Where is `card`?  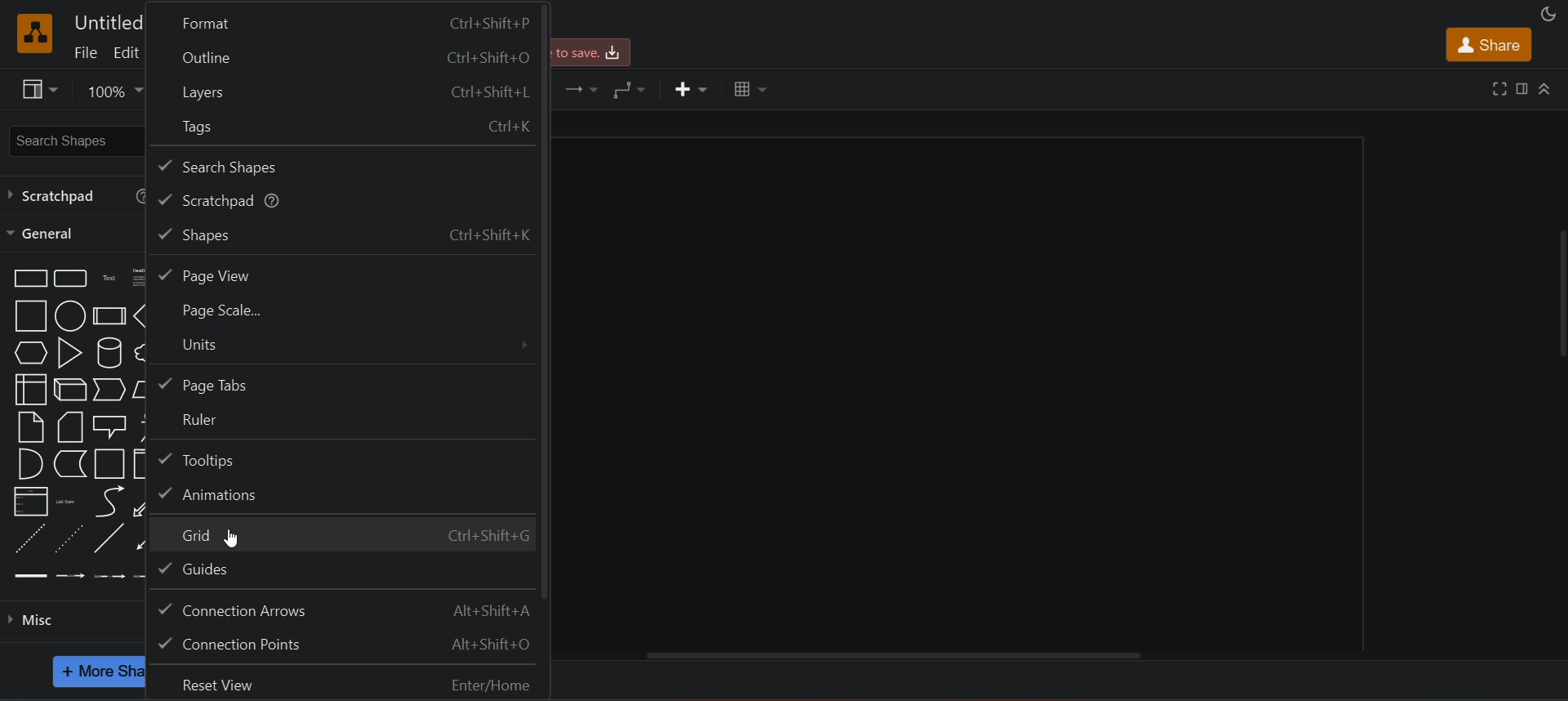 card is located at coordinates (70, 428).